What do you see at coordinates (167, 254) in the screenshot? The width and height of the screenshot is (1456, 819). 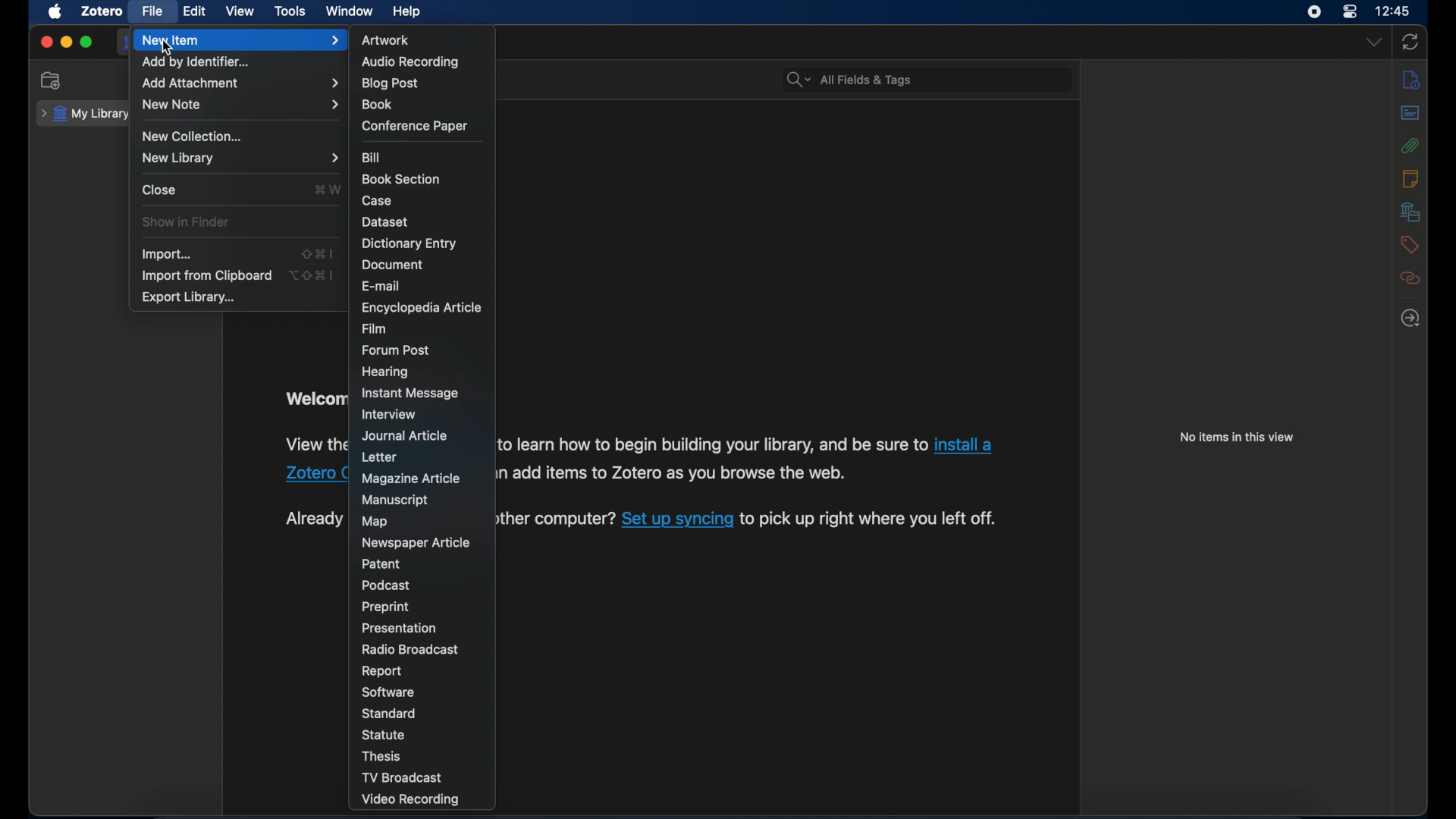 I see `import` at bounding box center [167, 254].